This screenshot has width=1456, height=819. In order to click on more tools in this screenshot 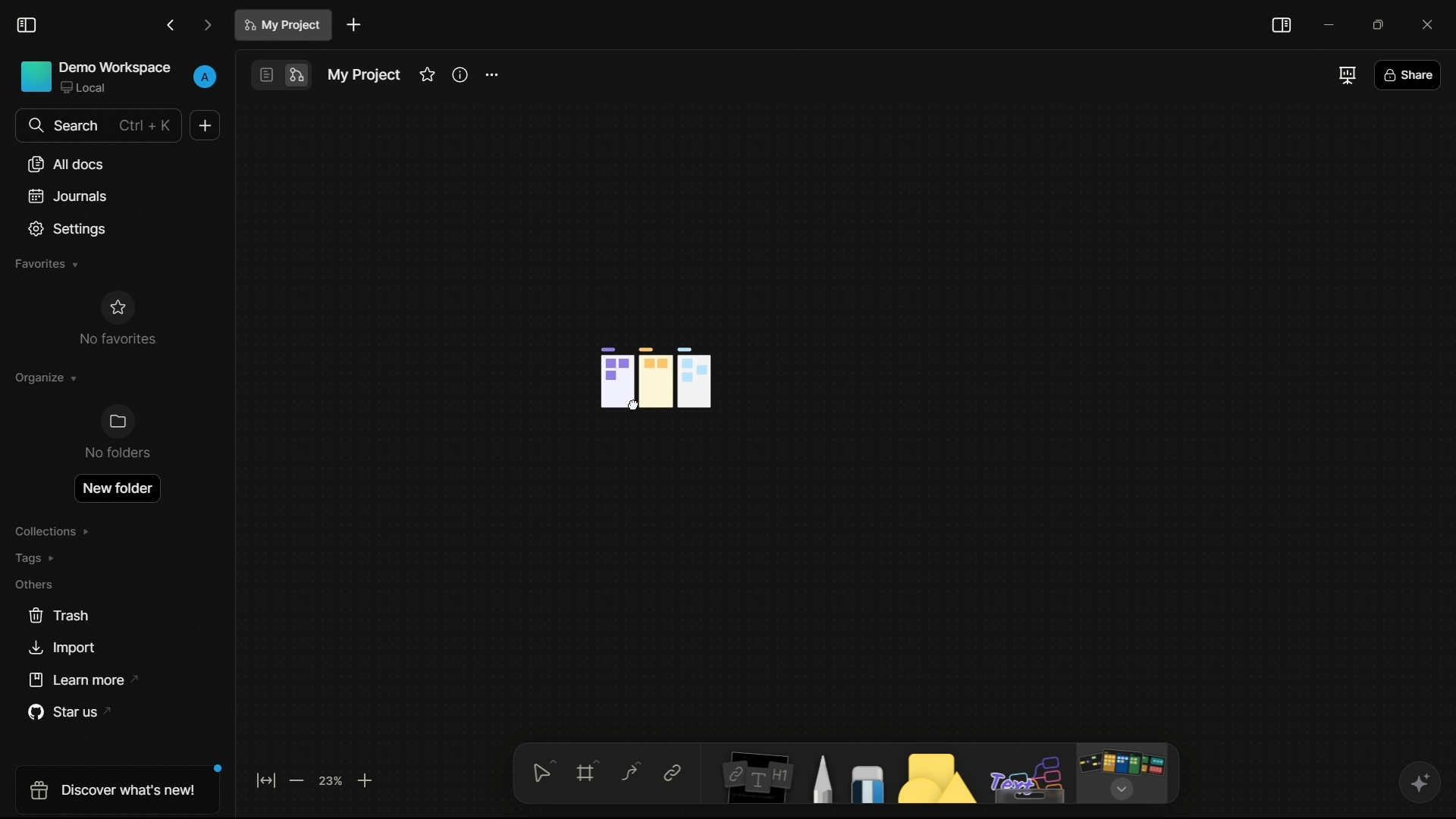, I will do `click(1121, 774)`.